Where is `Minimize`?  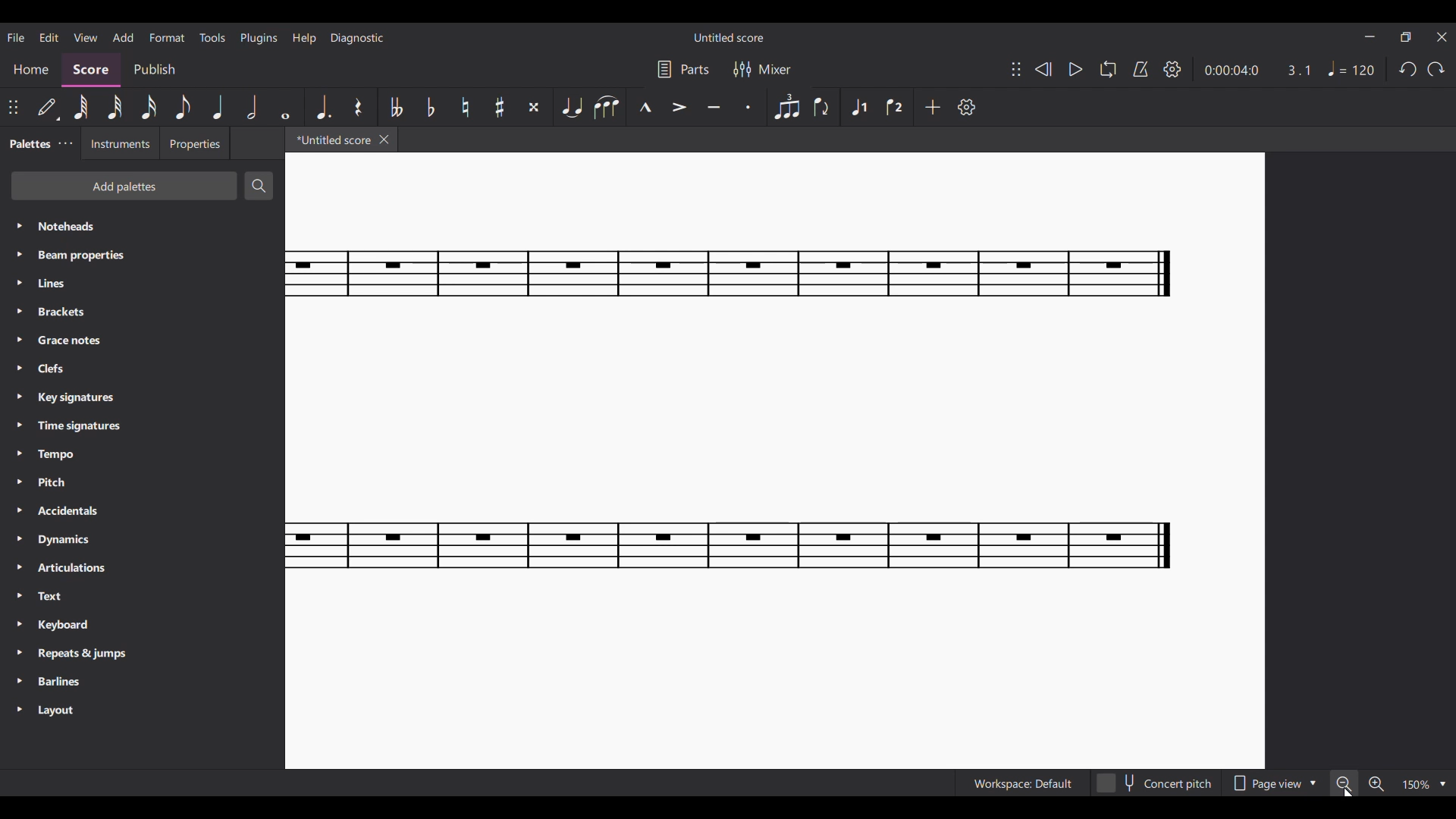 Minimize is located at coordinates (1370, 36).